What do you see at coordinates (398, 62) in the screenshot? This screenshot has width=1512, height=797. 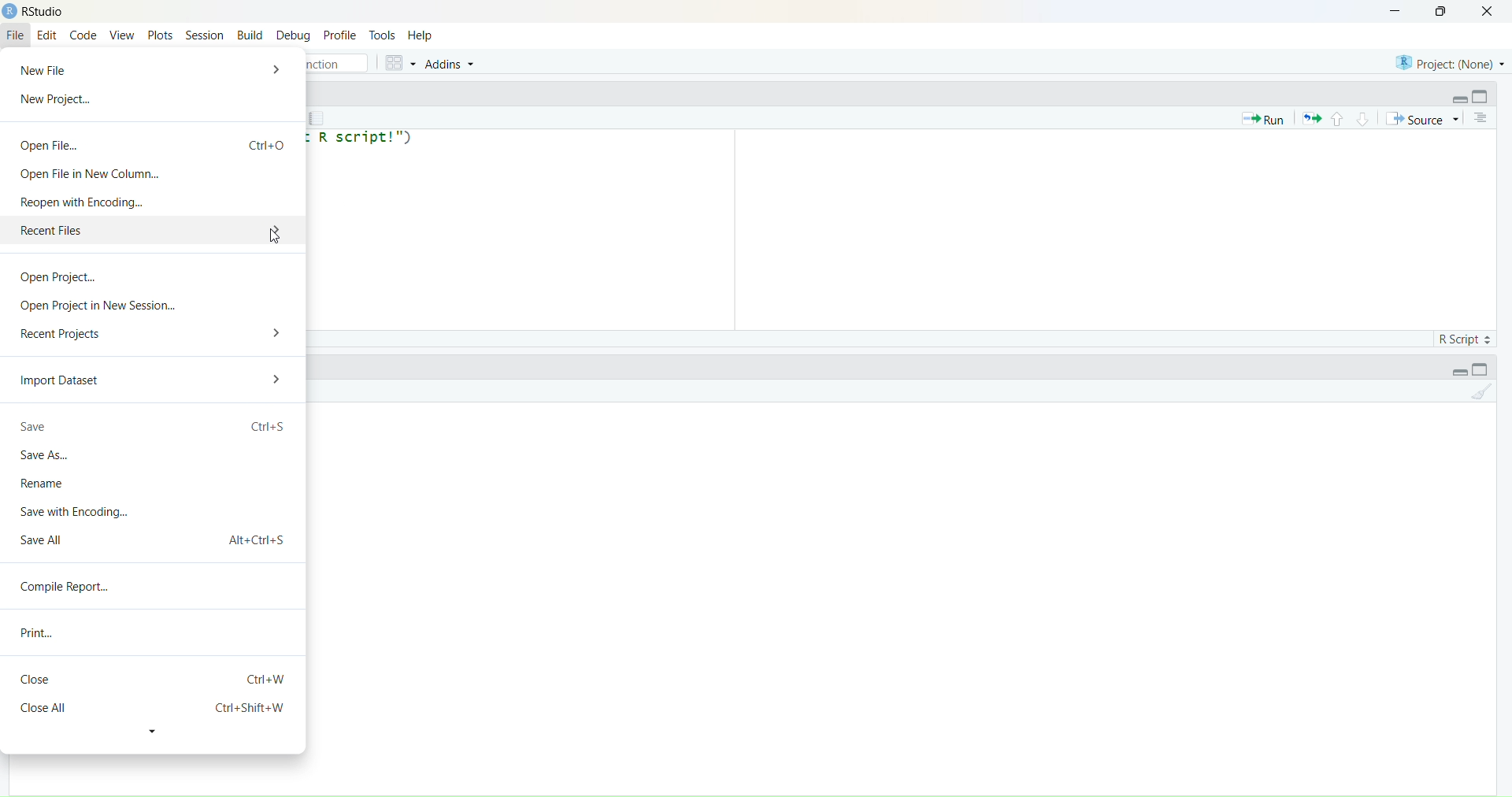 I see `Workspace panes` at bounding box center [398, 62].